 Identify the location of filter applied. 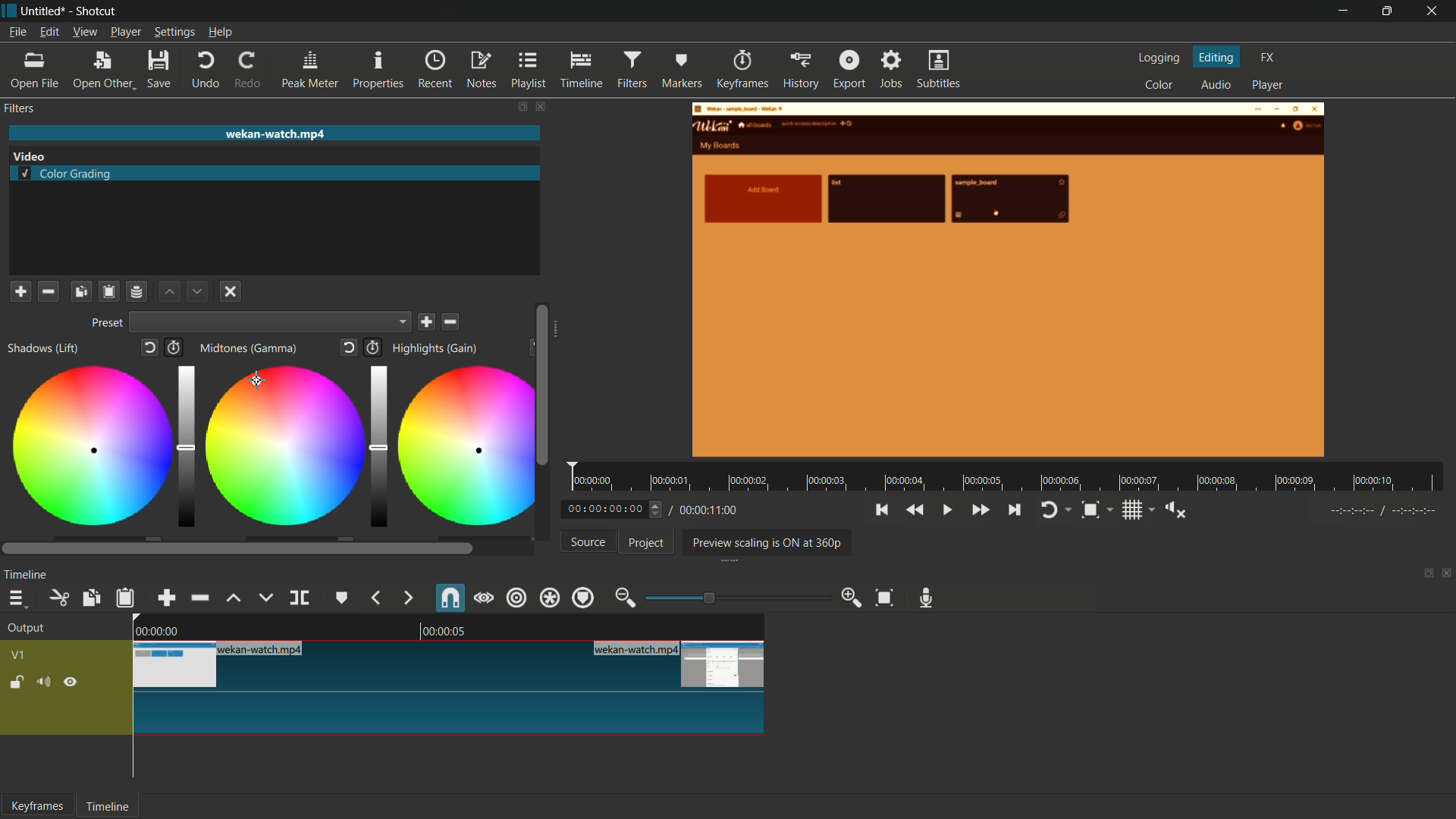
(1009, 282).